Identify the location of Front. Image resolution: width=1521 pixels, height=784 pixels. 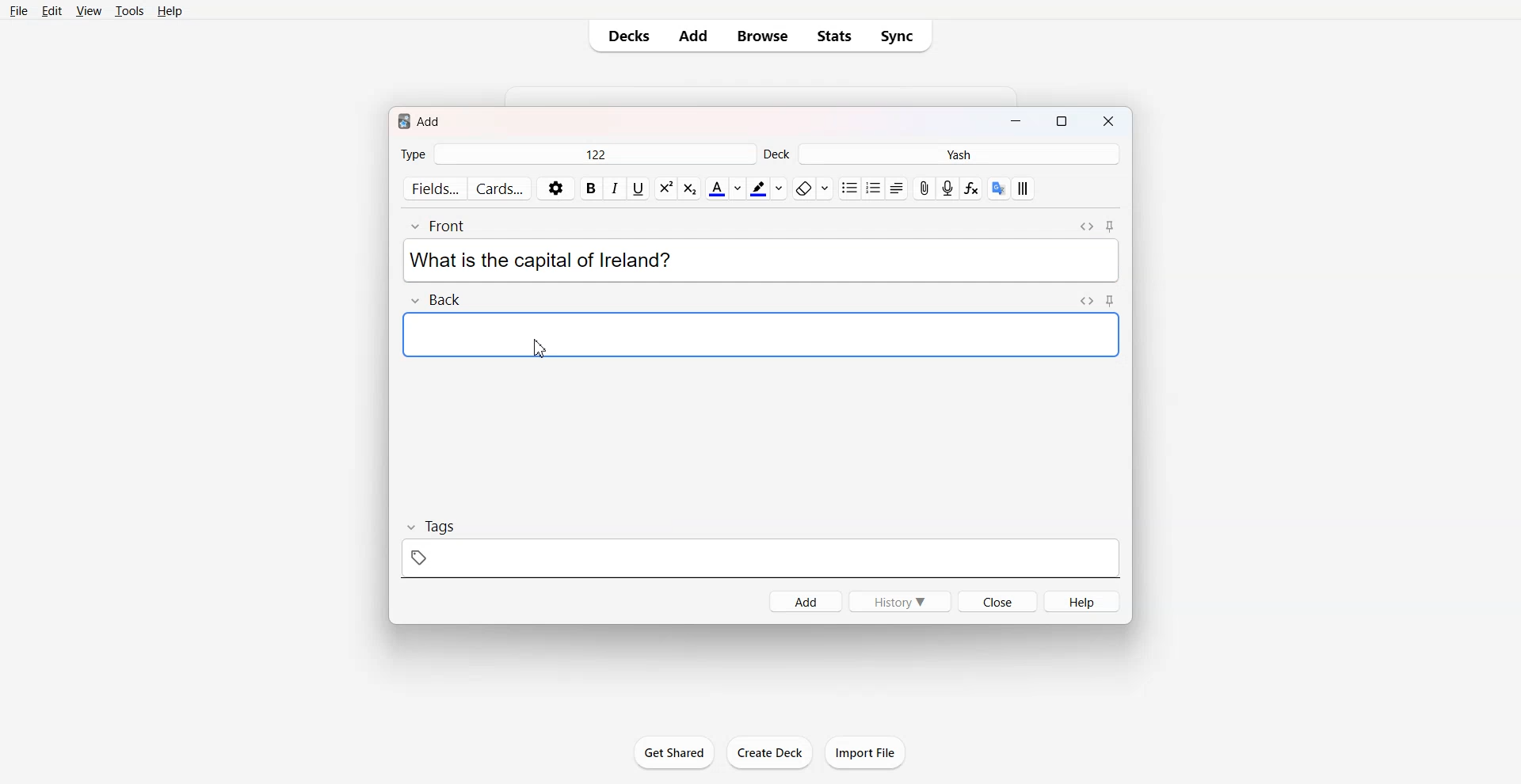
(443, 226).